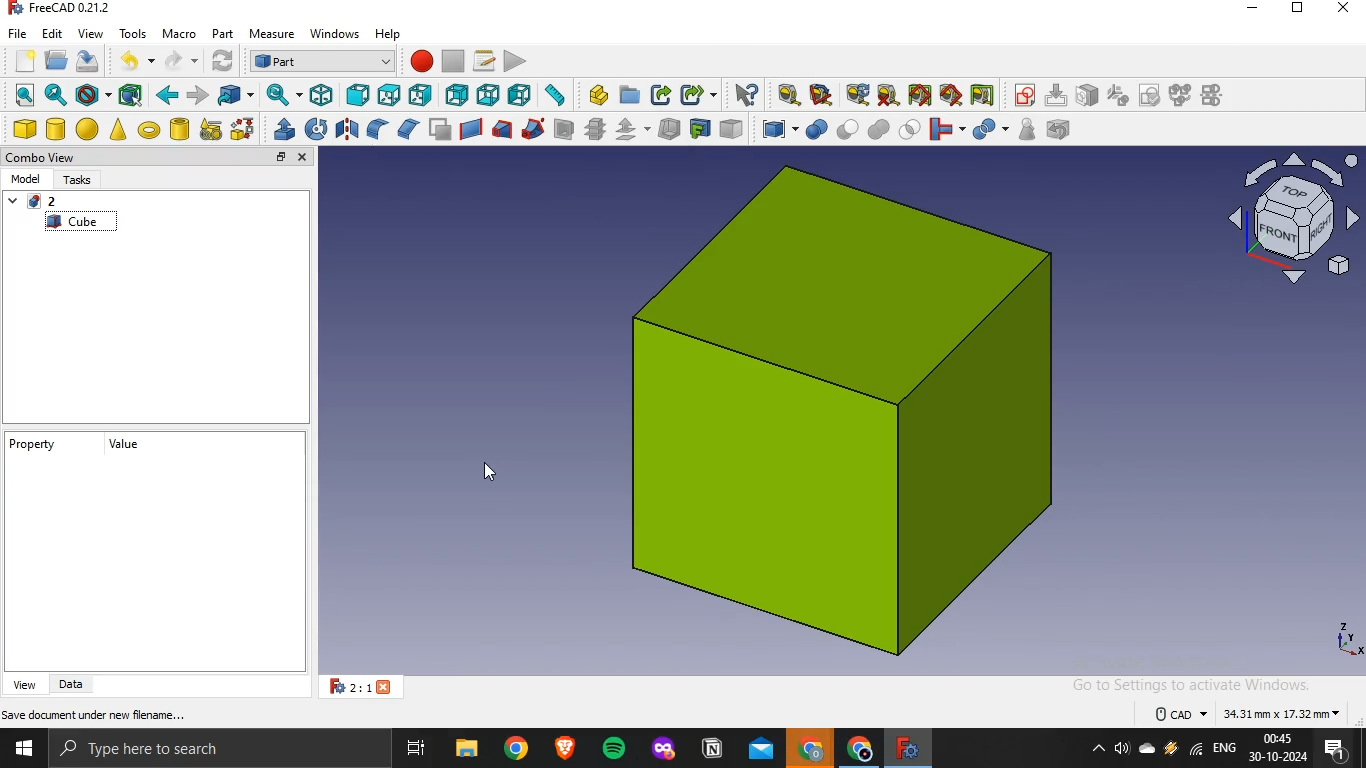 The height and width of the screenshot is (768, 1366). What do you see at coordinates (66, 10) in the screenshot?
I see `freecad 0.21.2` at bounding box center [66, 10].